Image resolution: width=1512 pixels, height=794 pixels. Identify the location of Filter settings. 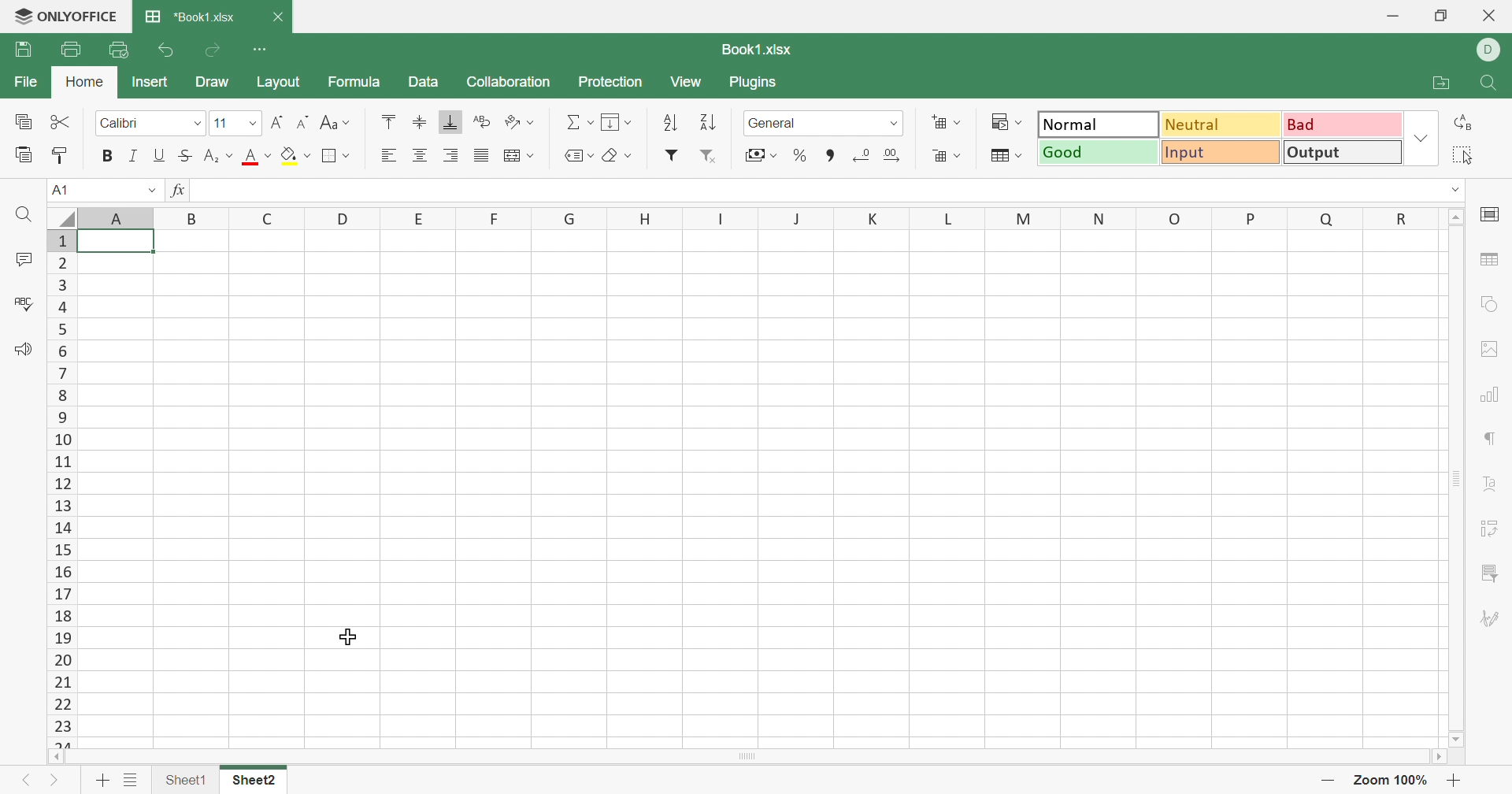
(1493, 573).